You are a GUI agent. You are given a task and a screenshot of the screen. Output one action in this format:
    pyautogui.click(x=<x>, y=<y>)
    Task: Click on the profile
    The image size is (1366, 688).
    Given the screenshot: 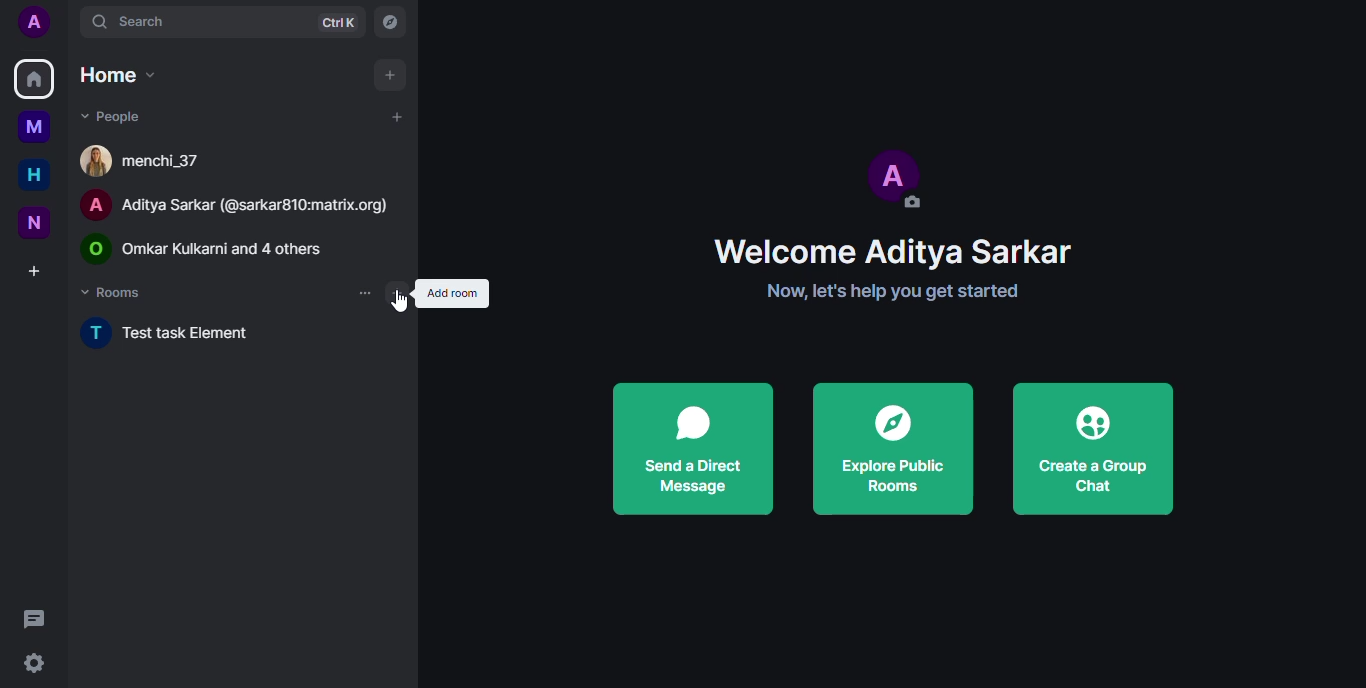 What is the action you would take?
    pyautogui.click(x=33, y=21)
    